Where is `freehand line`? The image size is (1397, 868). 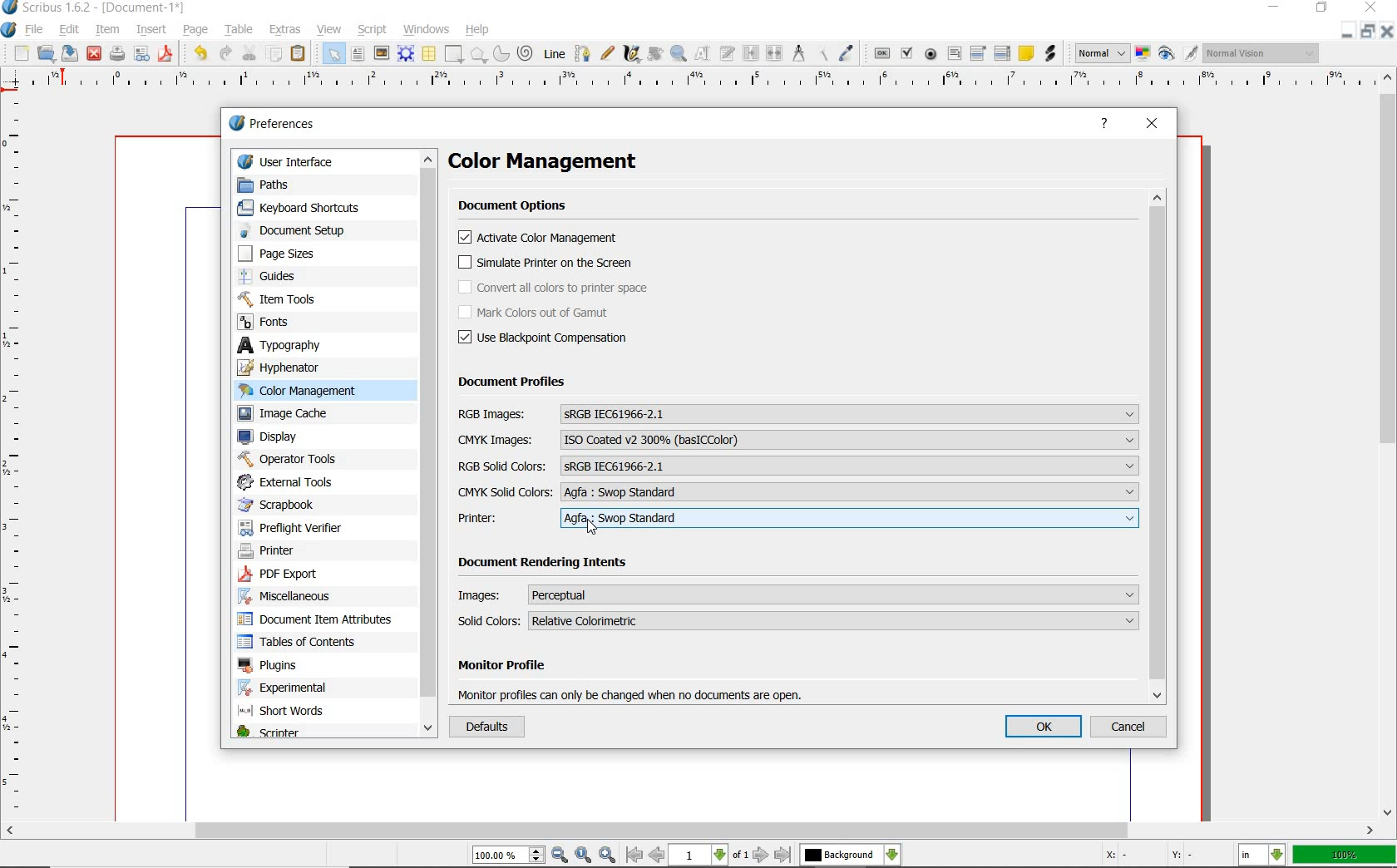
freehand line is located at coordinates (605, 52).